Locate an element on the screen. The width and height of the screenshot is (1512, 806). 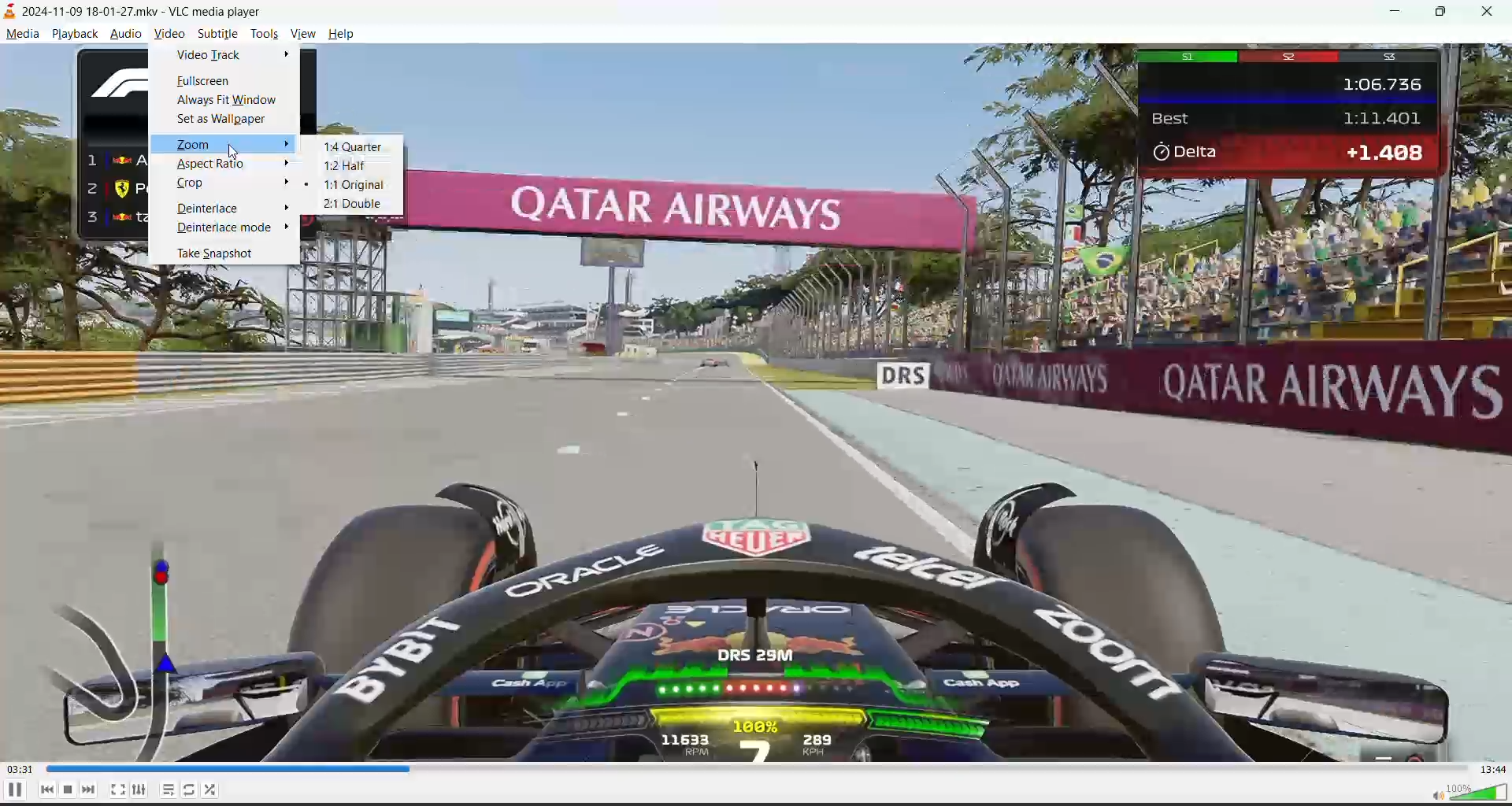
shuffle is located at coordinates (211, 790).